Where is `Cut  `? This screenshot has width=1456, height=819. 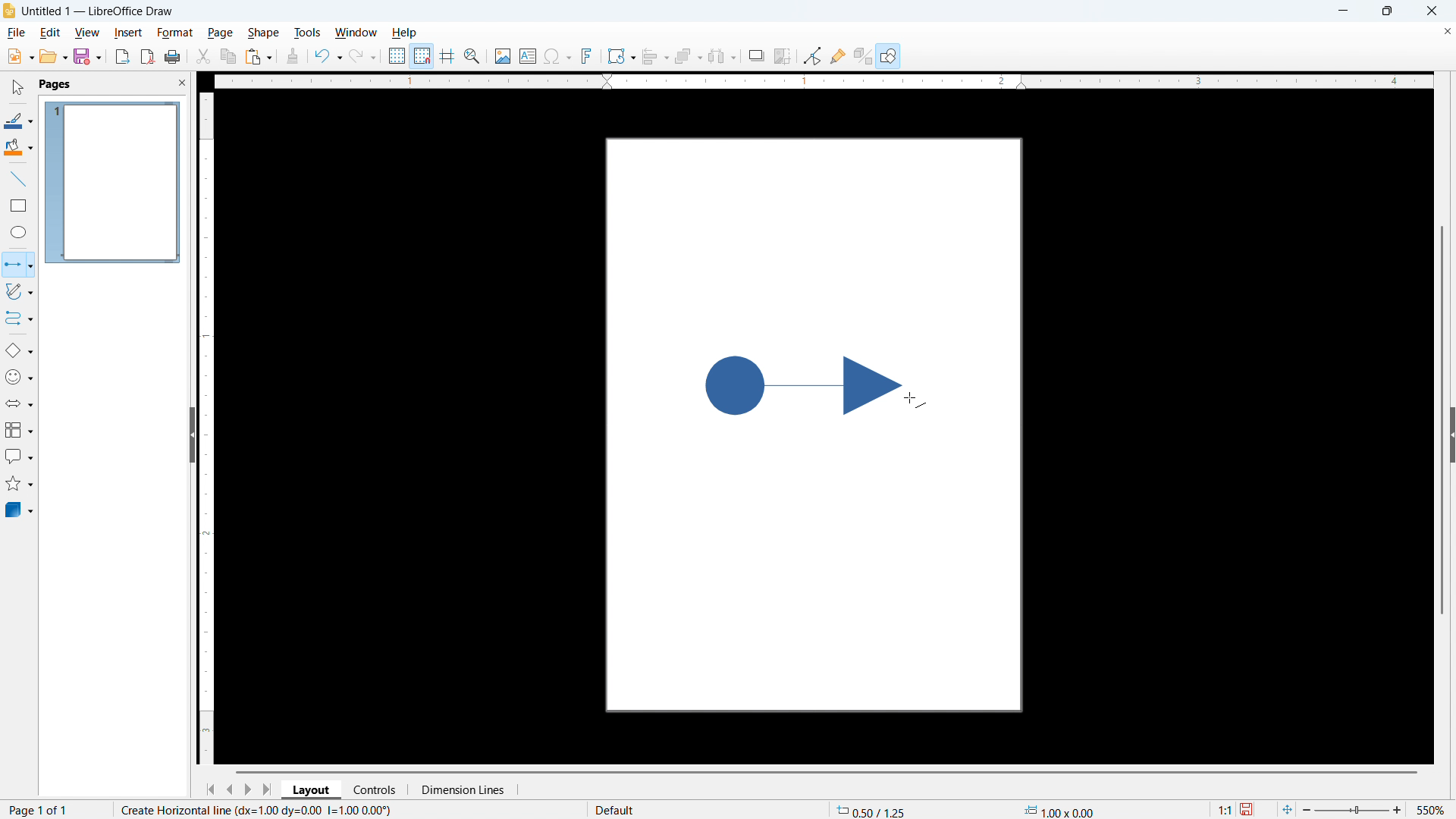 Cut   is located at coordinates (204, 57).